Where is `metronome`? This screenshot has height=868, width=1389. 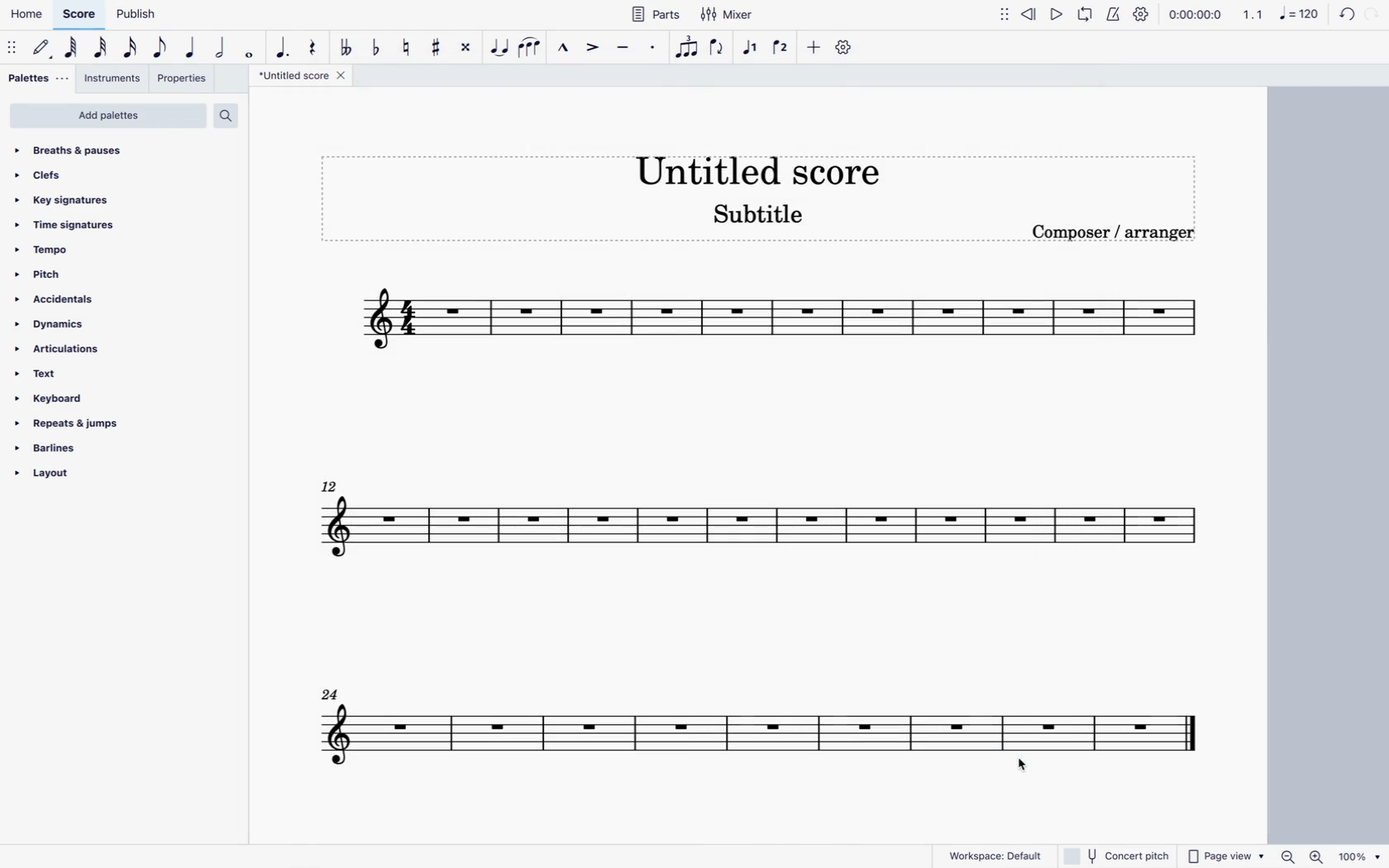 metronome is located at coordinates (1115, 17).